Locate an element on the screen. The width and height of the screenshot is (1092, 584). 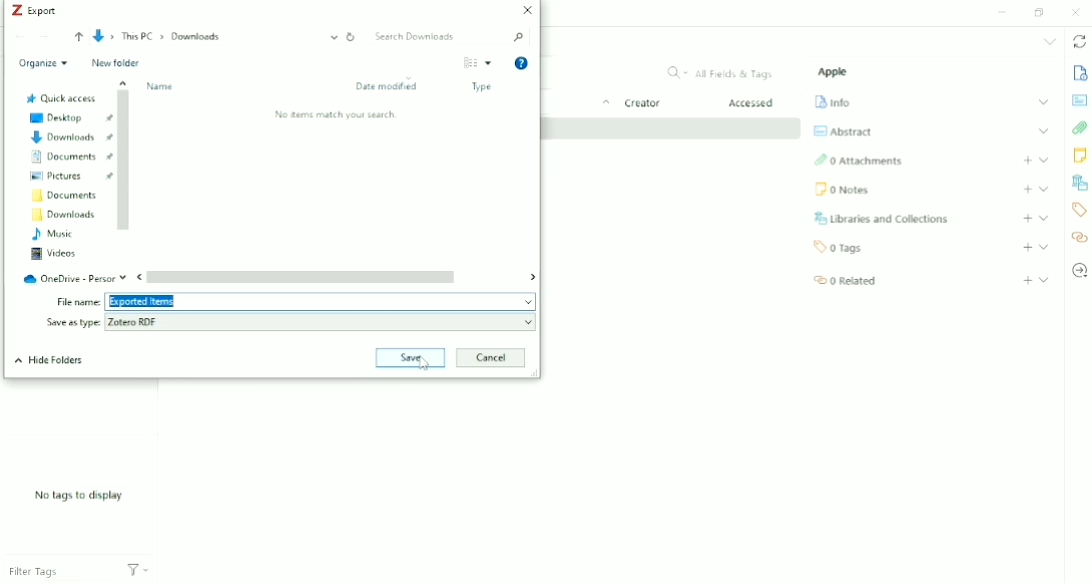
Add is located at coordinates (1027, 160).